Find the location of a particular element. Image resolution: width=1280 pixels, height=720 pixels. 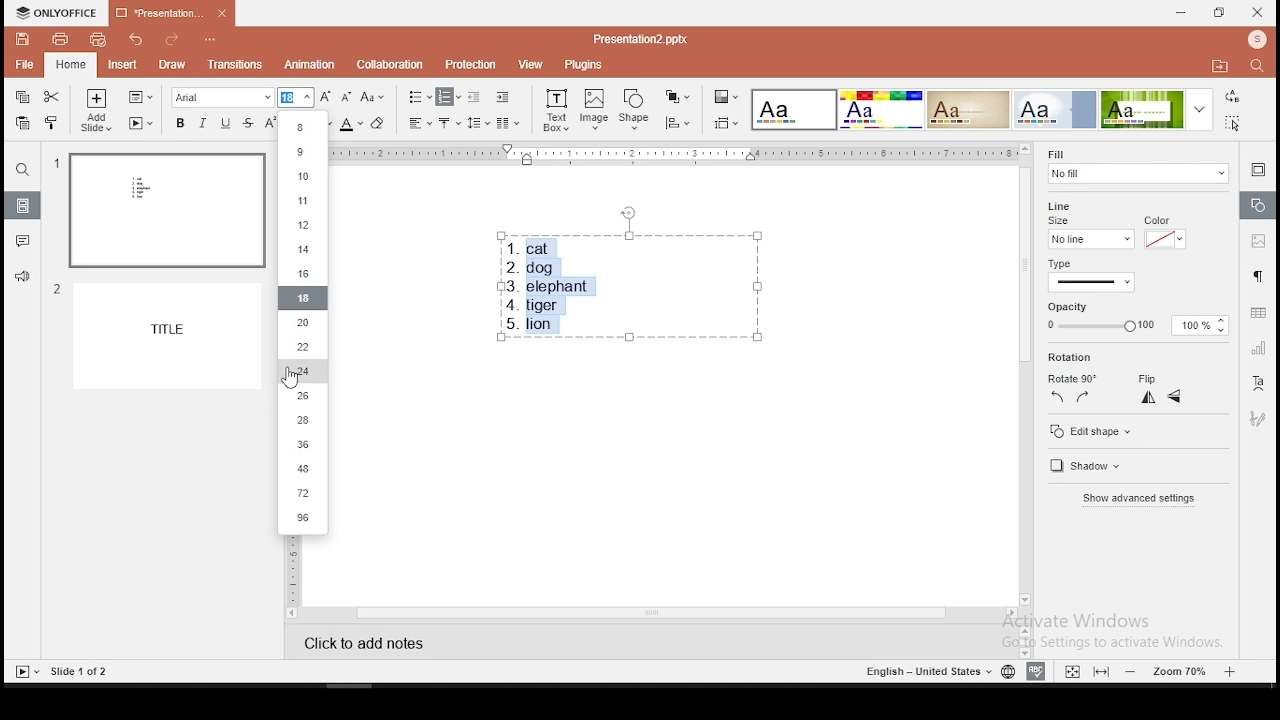

insert is located at coordinates (121, 63).